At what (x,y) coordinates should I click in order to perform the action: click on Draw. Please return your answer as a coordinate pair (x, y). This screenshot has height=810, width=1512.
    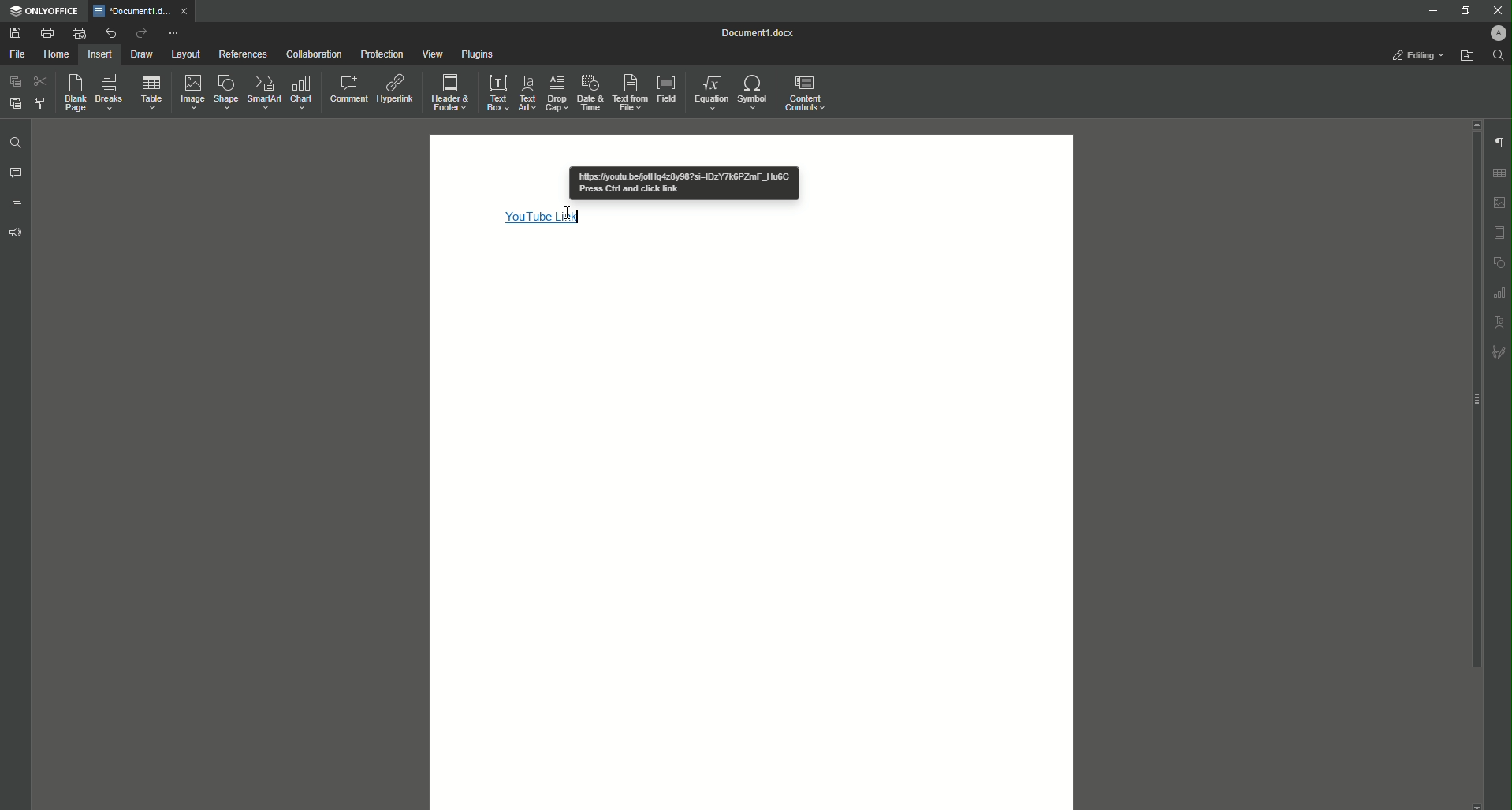
    Looking at the image, I should click on (143, 54).